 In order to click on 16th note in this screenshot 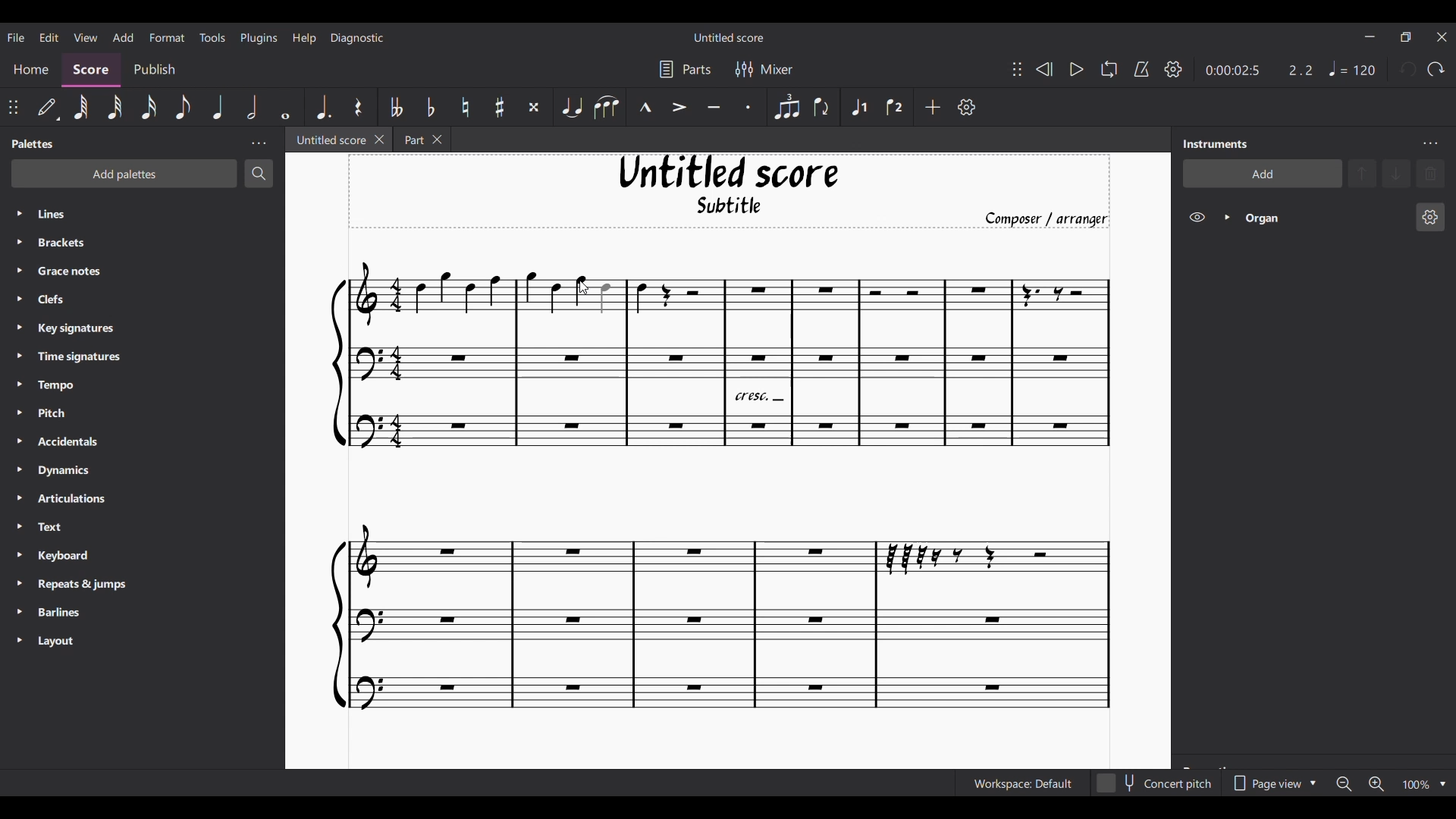, I will do `click(149, 107)`.